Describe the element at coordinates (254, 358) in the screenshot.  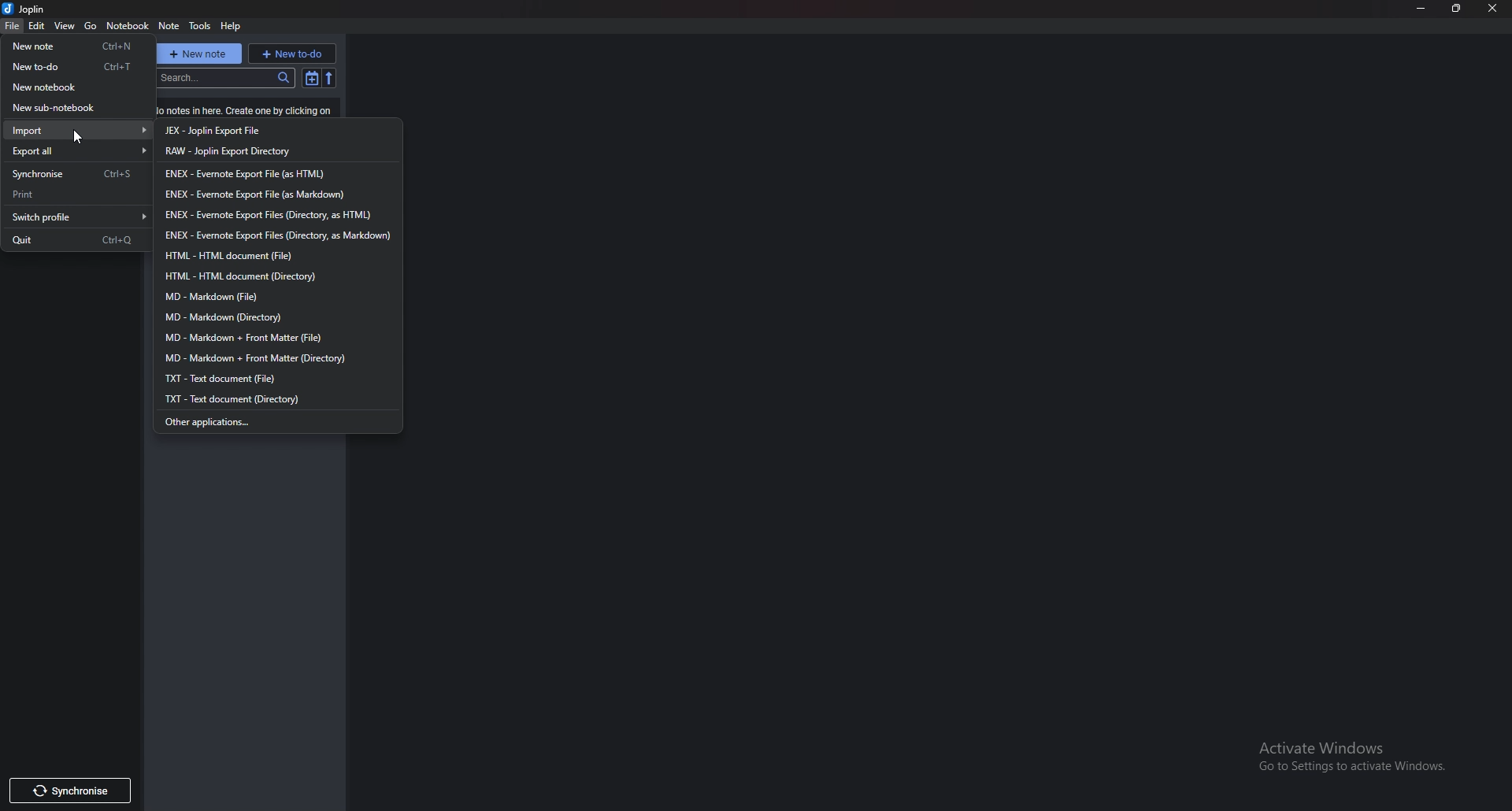
I see `markdown + front matter directory` at that location.